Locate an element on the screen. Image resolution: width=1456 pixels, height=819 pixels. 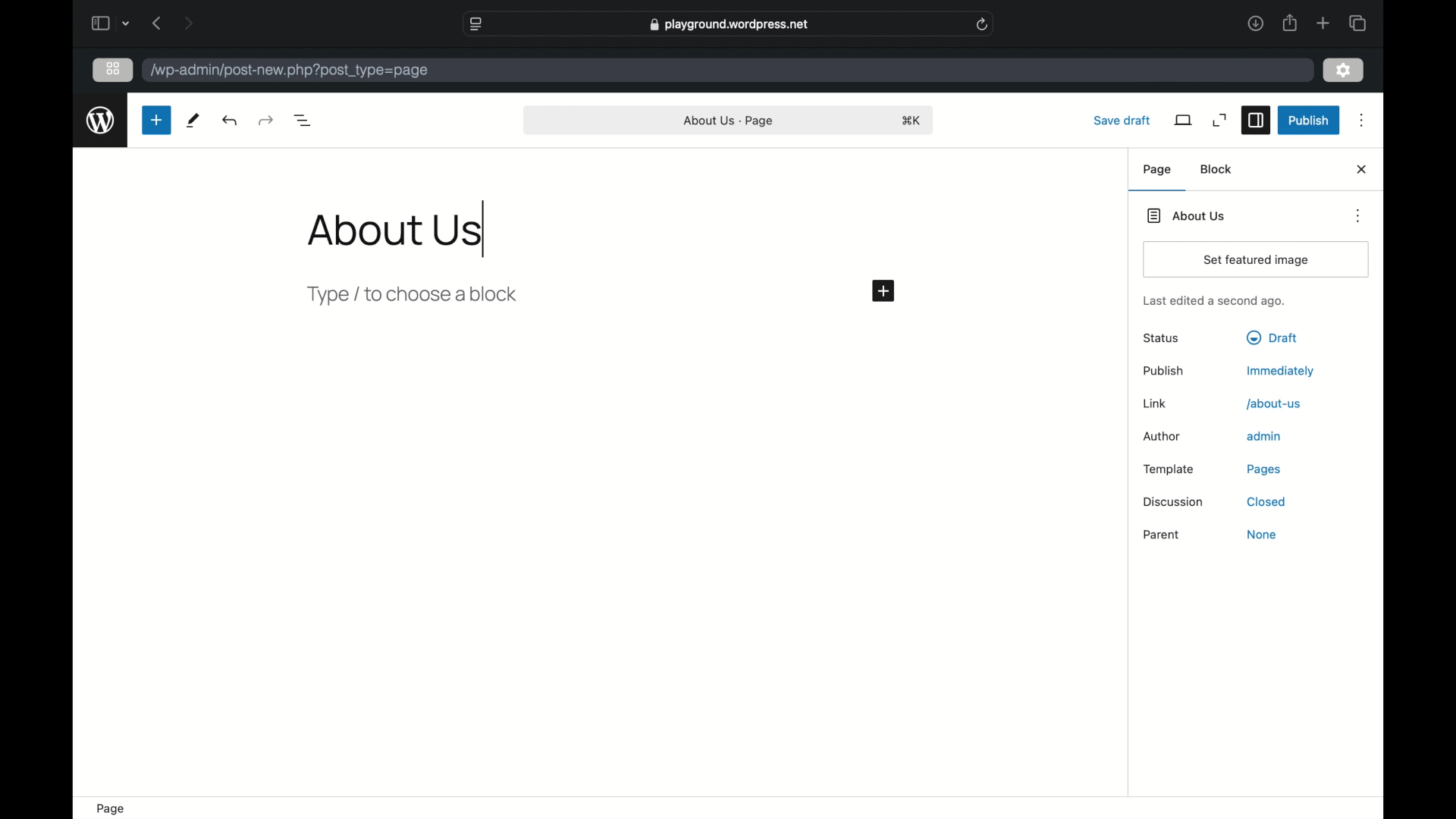
grid view is located at coordinates (113, 69).